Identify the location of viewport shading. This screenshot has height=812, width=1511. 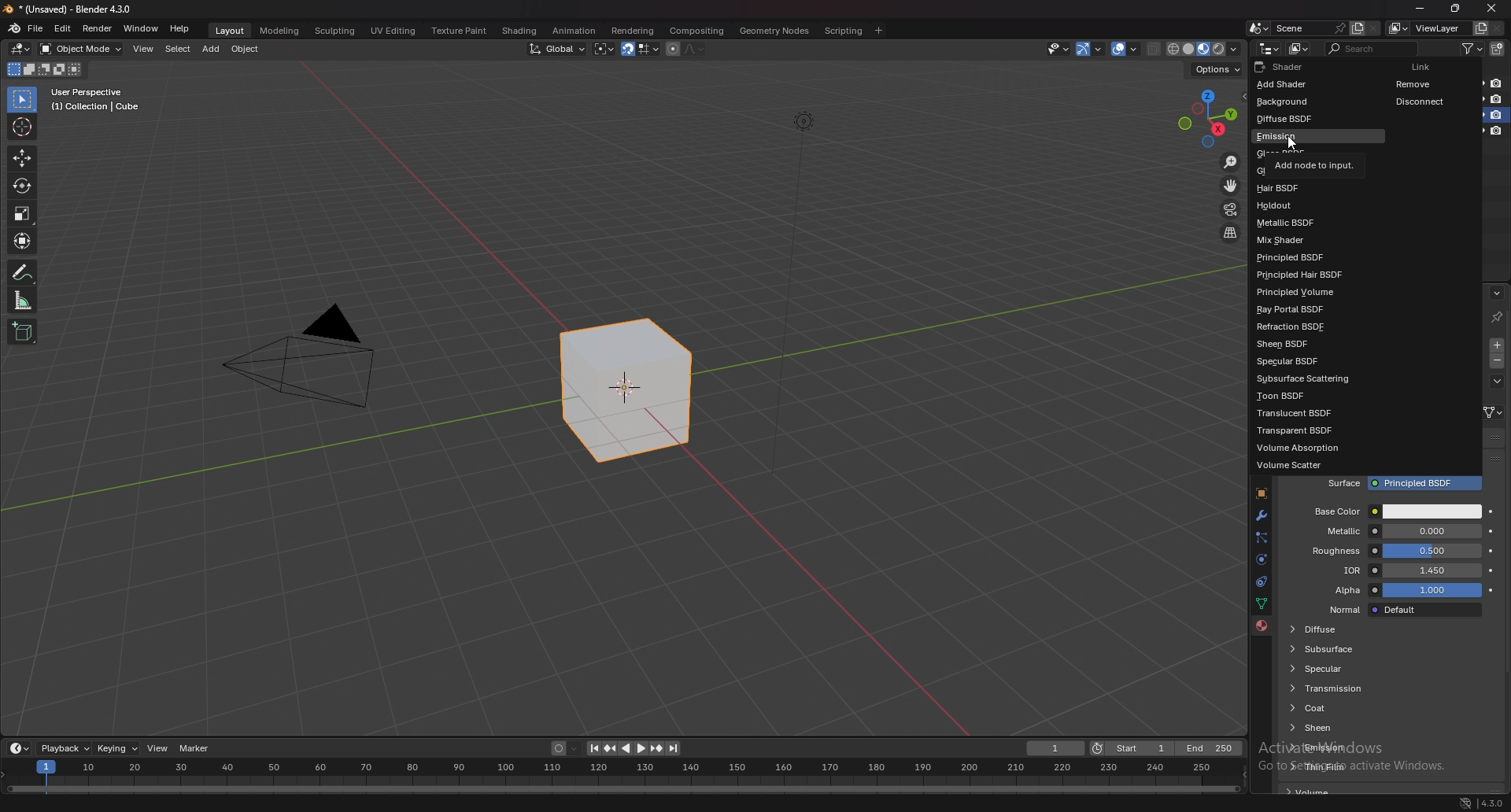
(1202, 49).